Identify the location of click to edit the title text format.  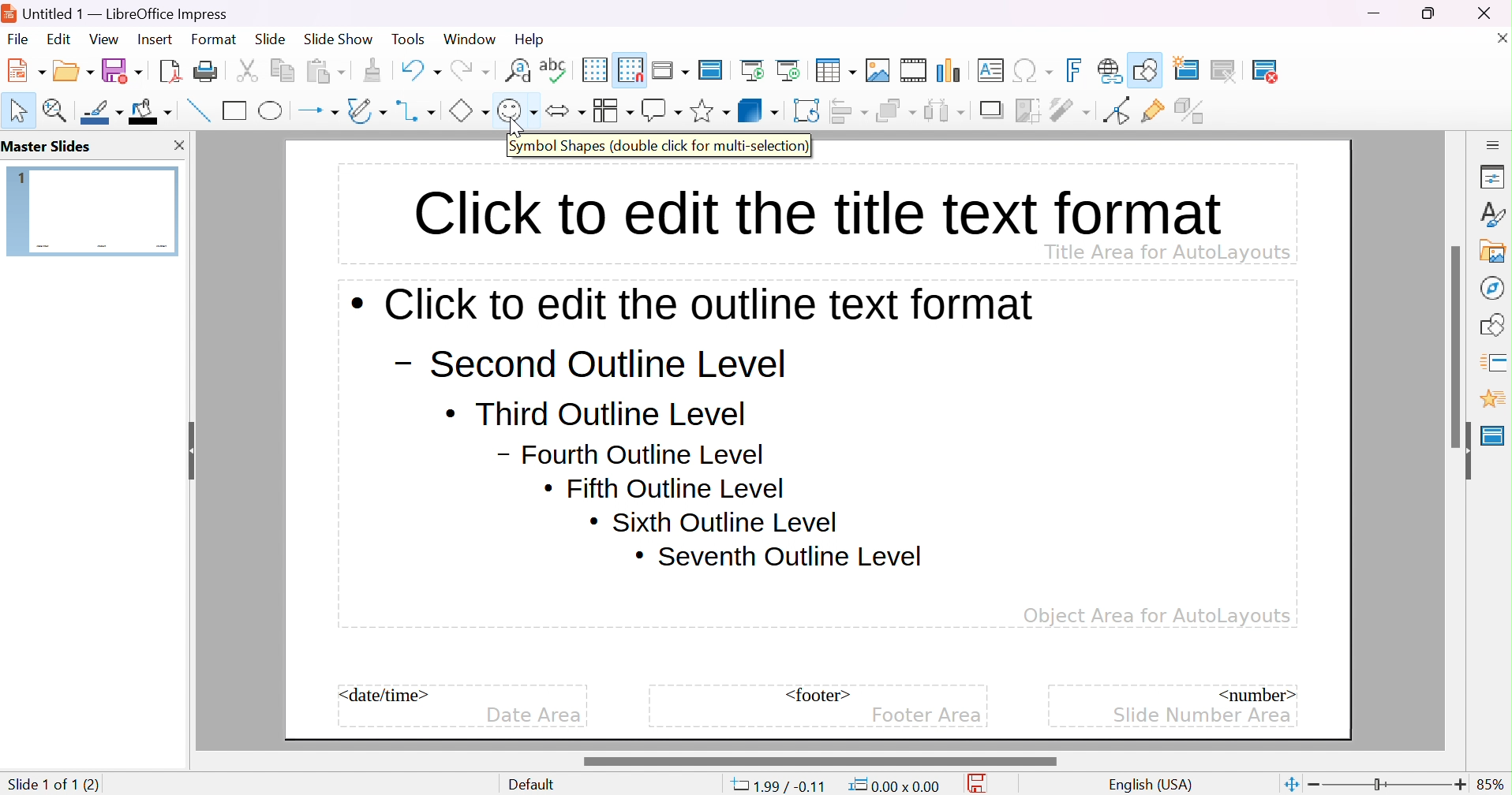
(814, 209).